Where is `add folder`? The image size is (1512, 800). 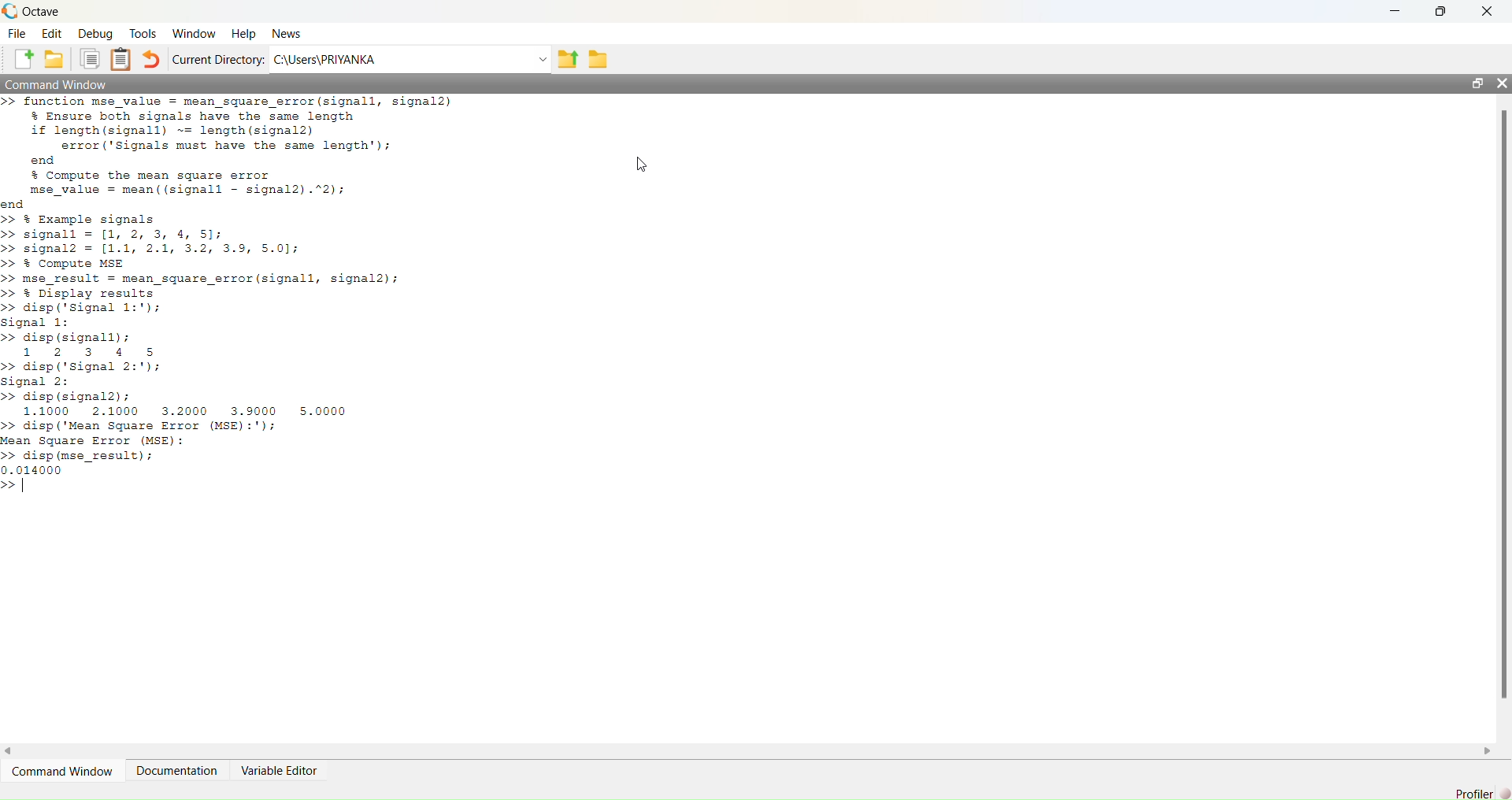
add folder is located at coordinates (54, 58).